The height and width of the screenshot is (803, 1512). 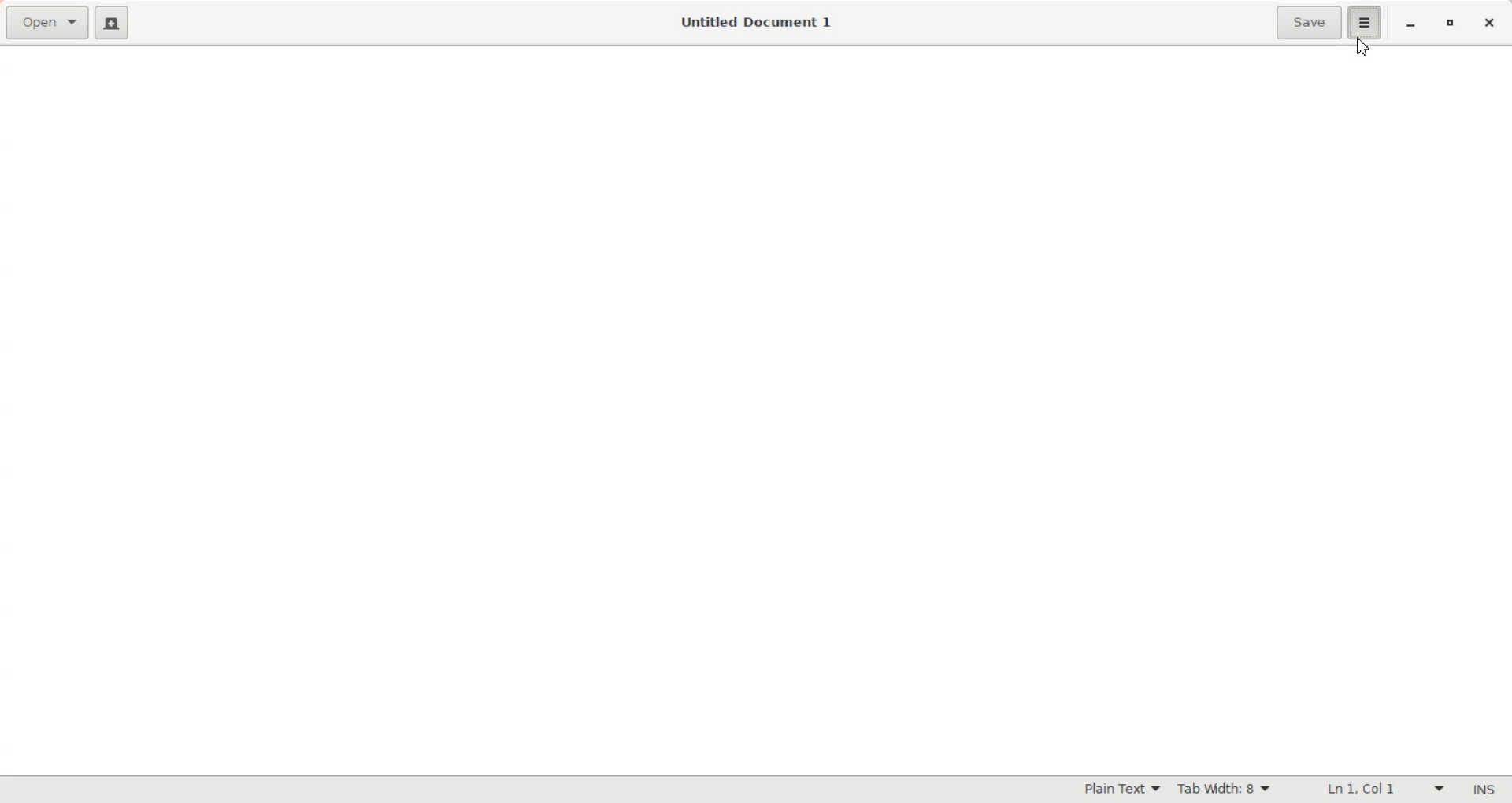 What do you see at coordinates (46, 24) in the screenshot?
I see `Open file` at bounding box center [46, 24].